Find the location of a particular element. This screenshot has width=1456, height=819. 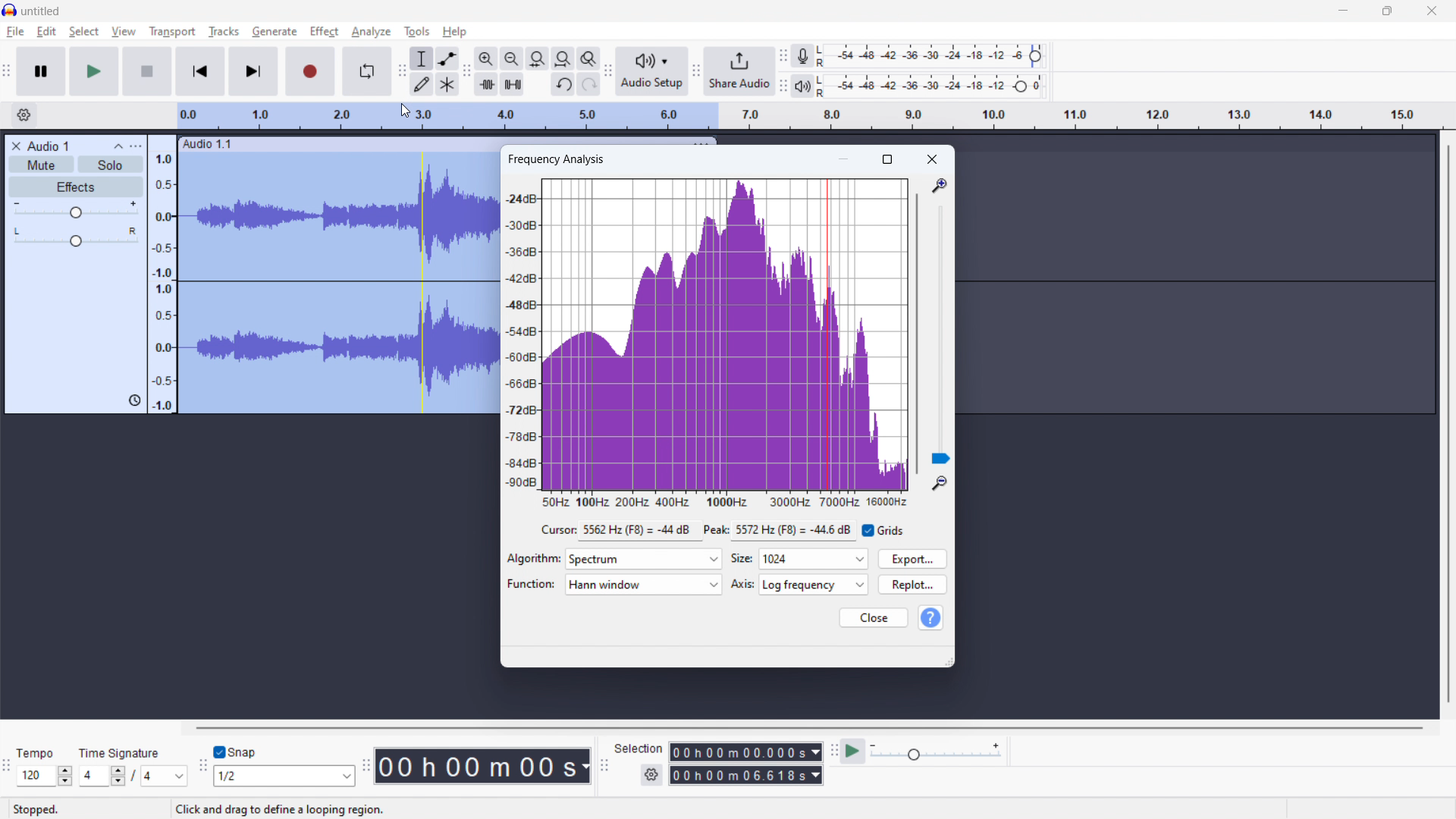

set snapping is located at coordinates (284, 776).